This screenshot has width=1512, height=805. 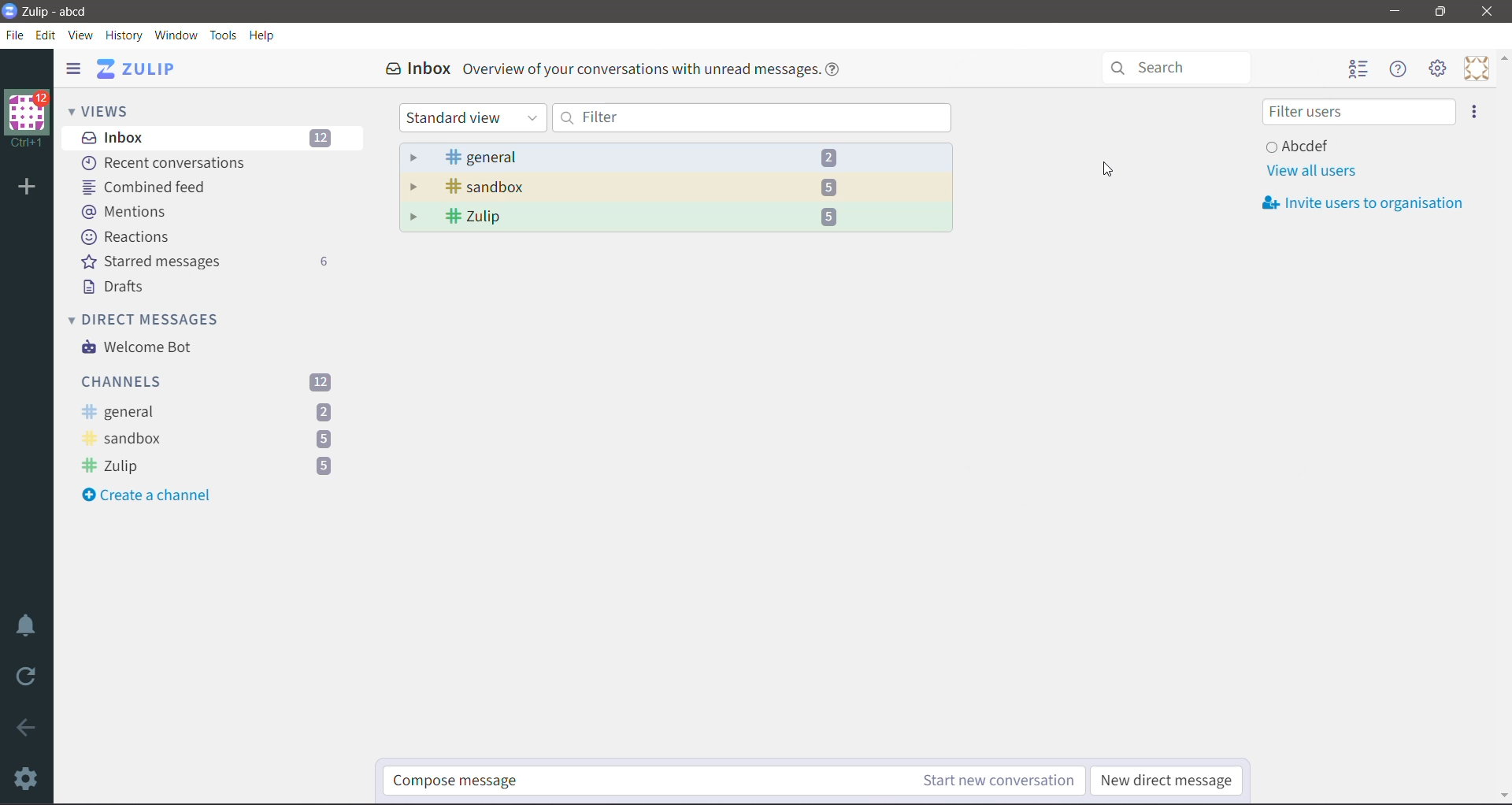 What do you see at coordinates (1400, 69) in the screenshot?
I see `Help Menu` at bounding box center [1400, 69].